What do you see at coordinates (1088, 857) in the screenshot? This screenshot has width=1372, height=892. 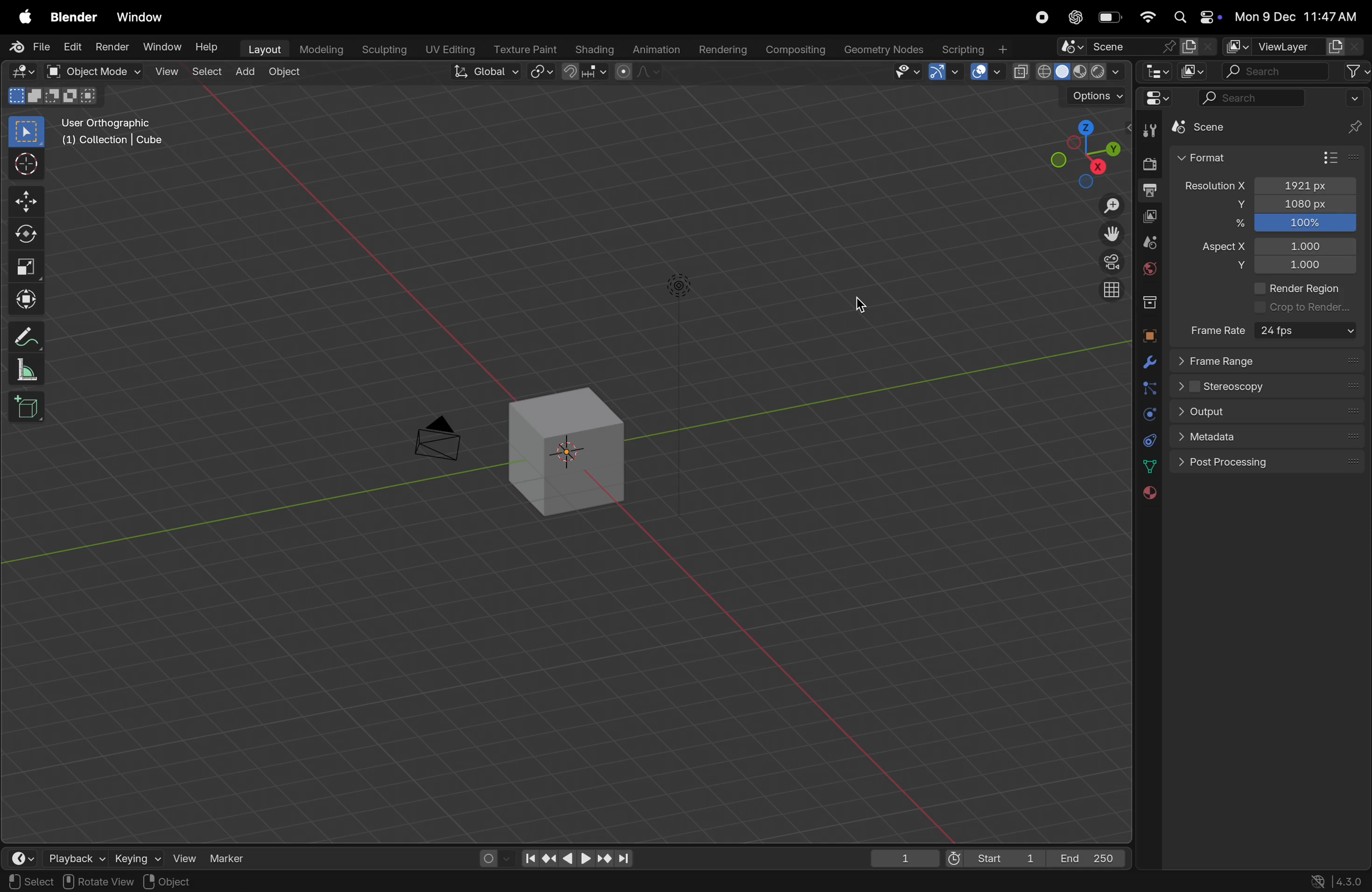 I see `End 250` at bounding box center [1088, 857].